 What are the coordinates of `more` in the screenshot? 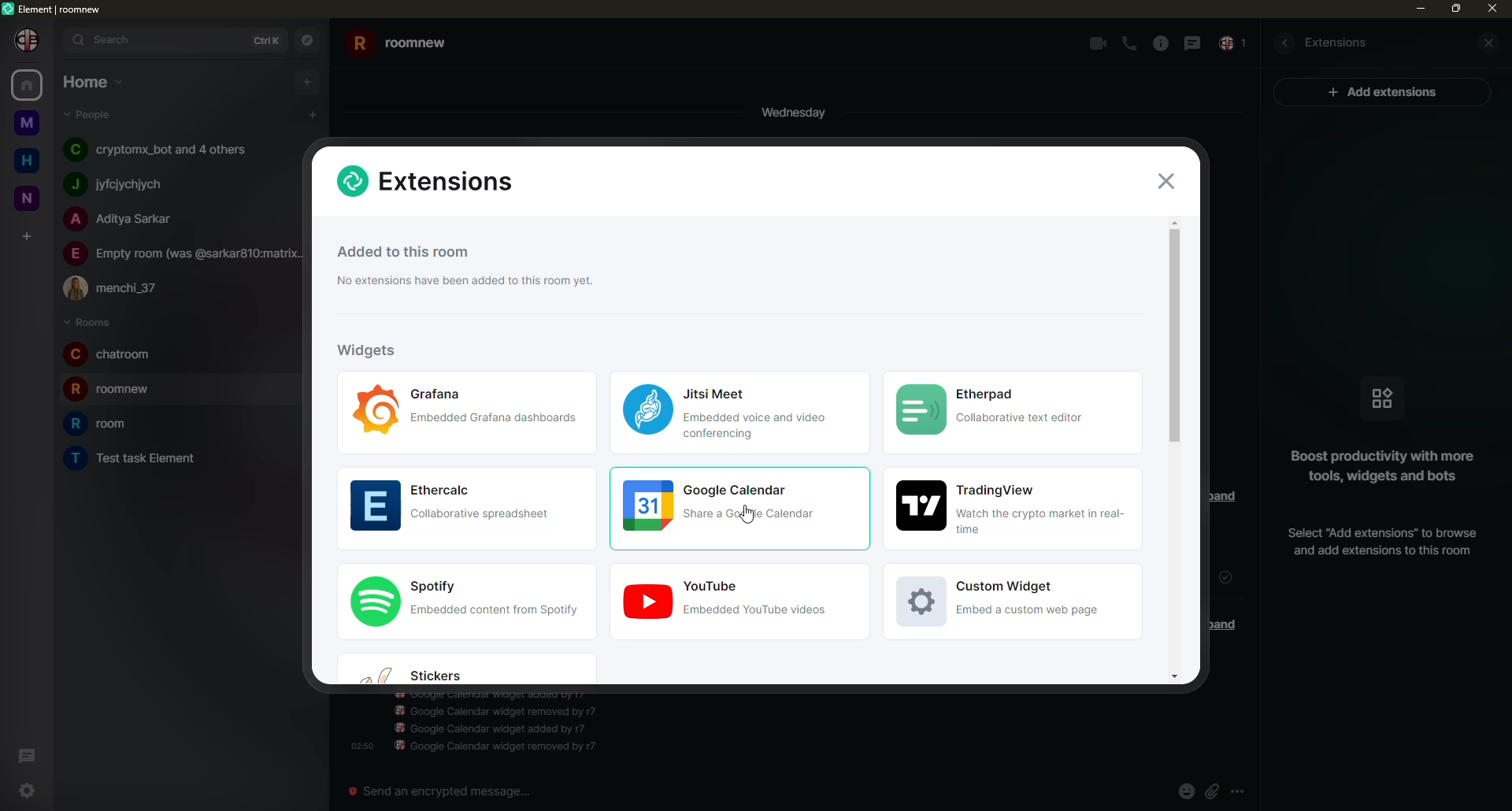 It's located at (1236, 791).